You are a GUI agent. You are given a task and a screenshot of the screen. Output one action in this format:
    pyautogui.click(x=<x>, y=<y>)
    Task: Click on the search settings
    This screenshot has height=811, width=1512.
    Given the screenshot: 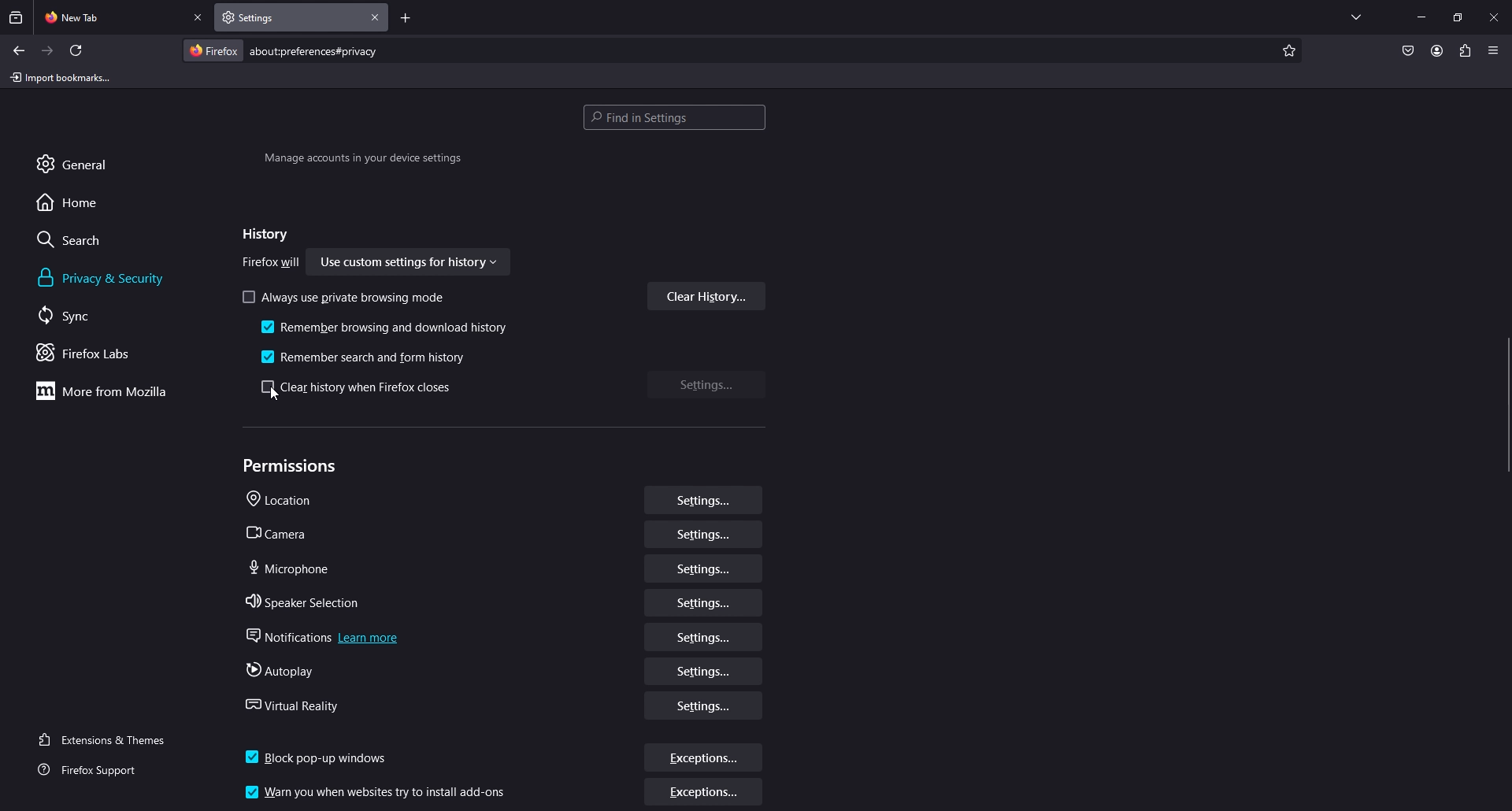 What is the action you would take?
    pyautogui.click(x=674, y=119)
    